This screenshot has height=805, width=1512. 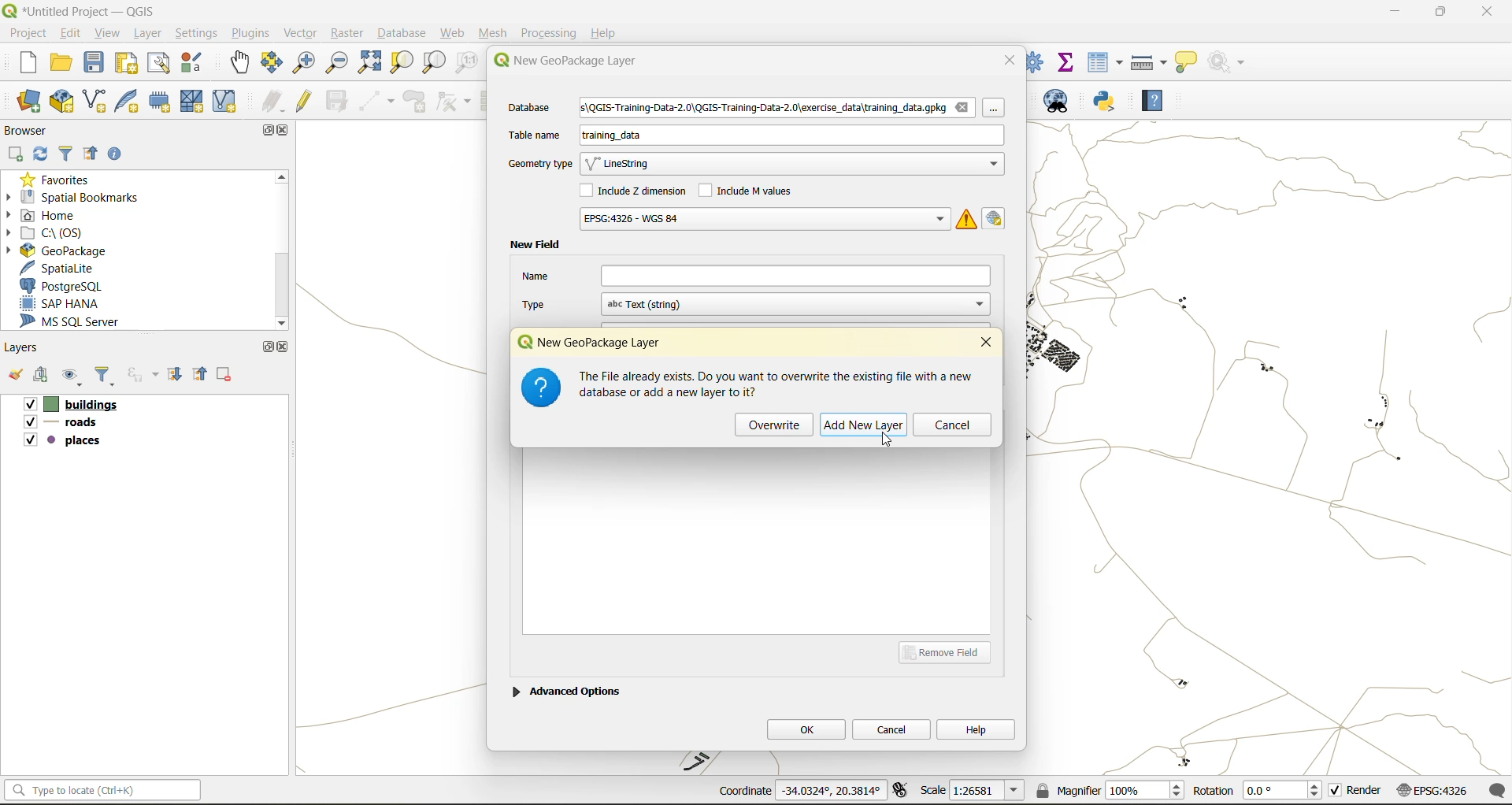 What do you see at coordinates (64, 425) in the screenshot?
I see `roads` at bounding box center [64, 425].